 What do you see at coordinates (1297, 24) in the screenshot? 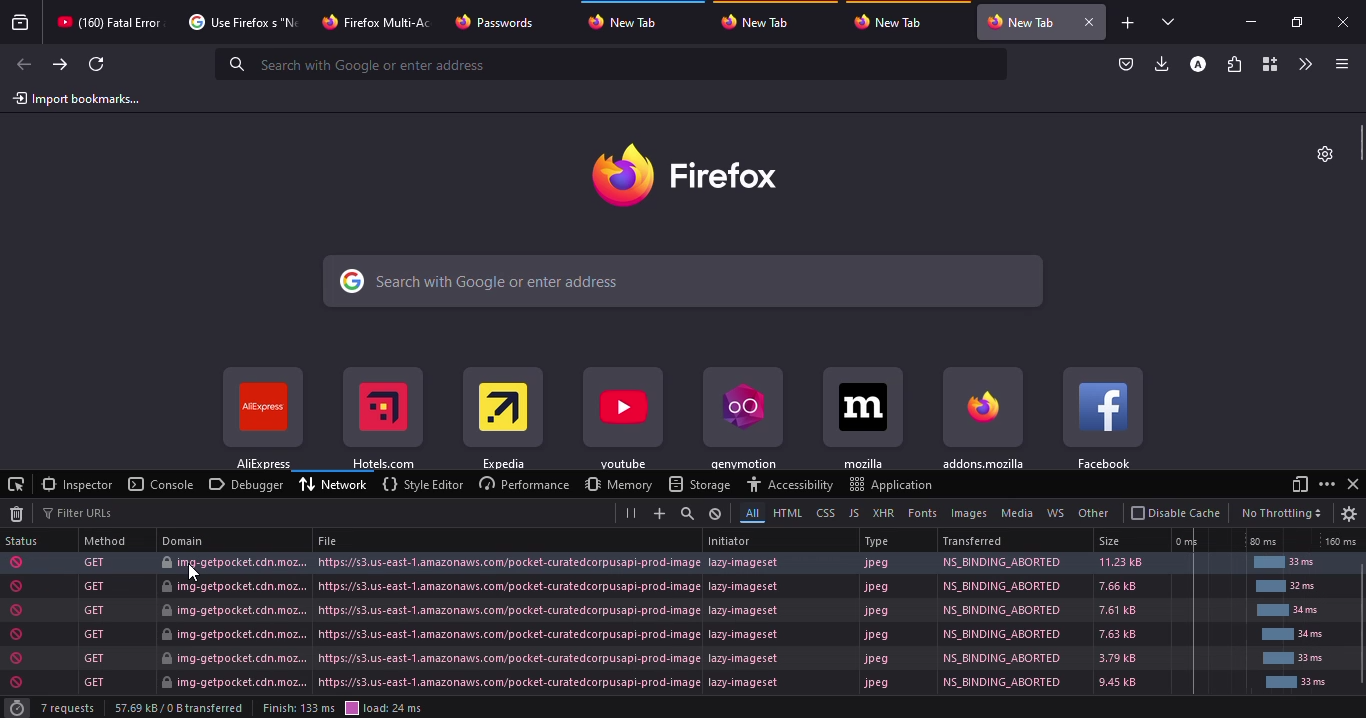
I see `maximize` at bounding box center [1297, 24].